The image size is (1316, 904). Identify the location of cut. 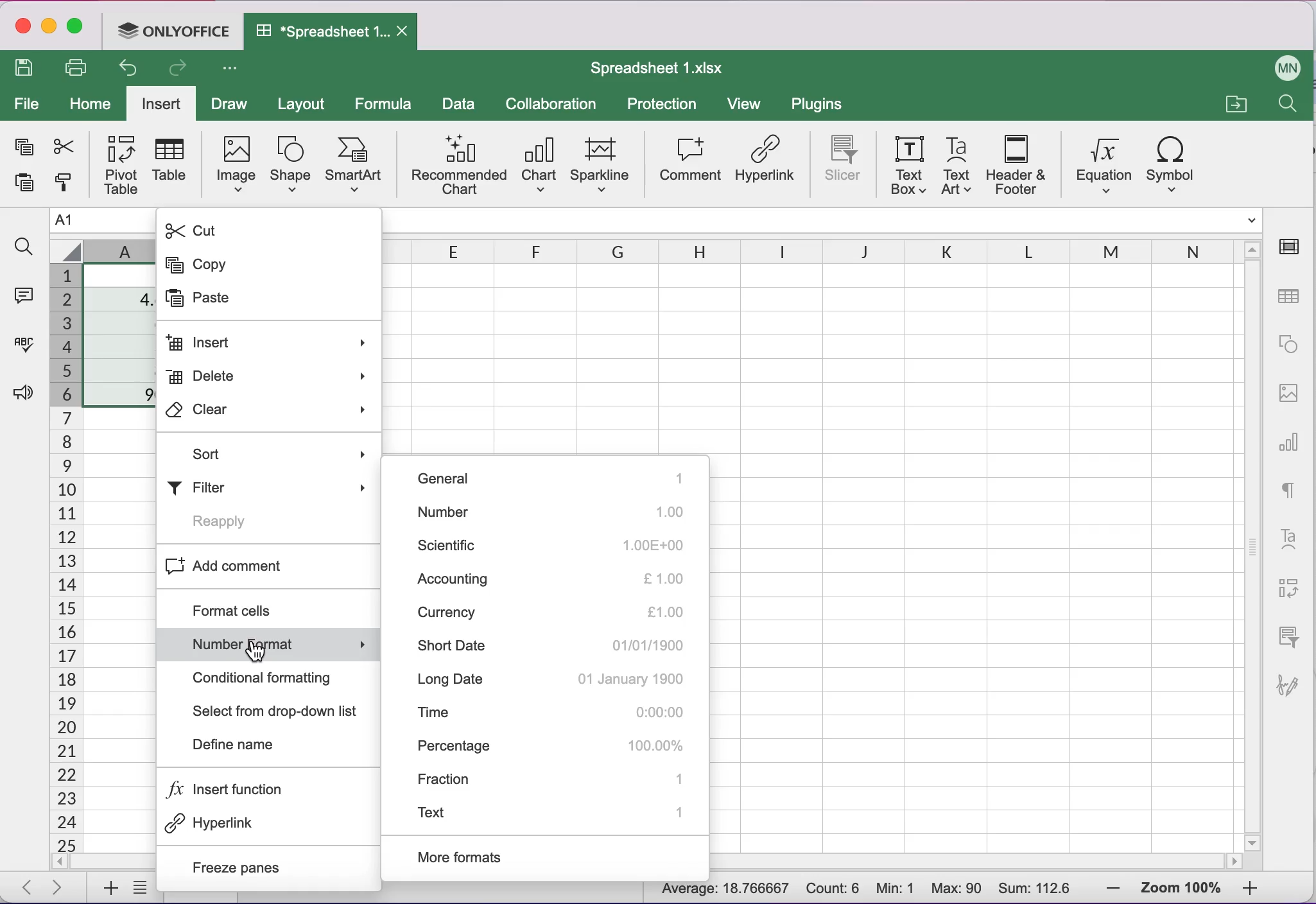
(62, 146).